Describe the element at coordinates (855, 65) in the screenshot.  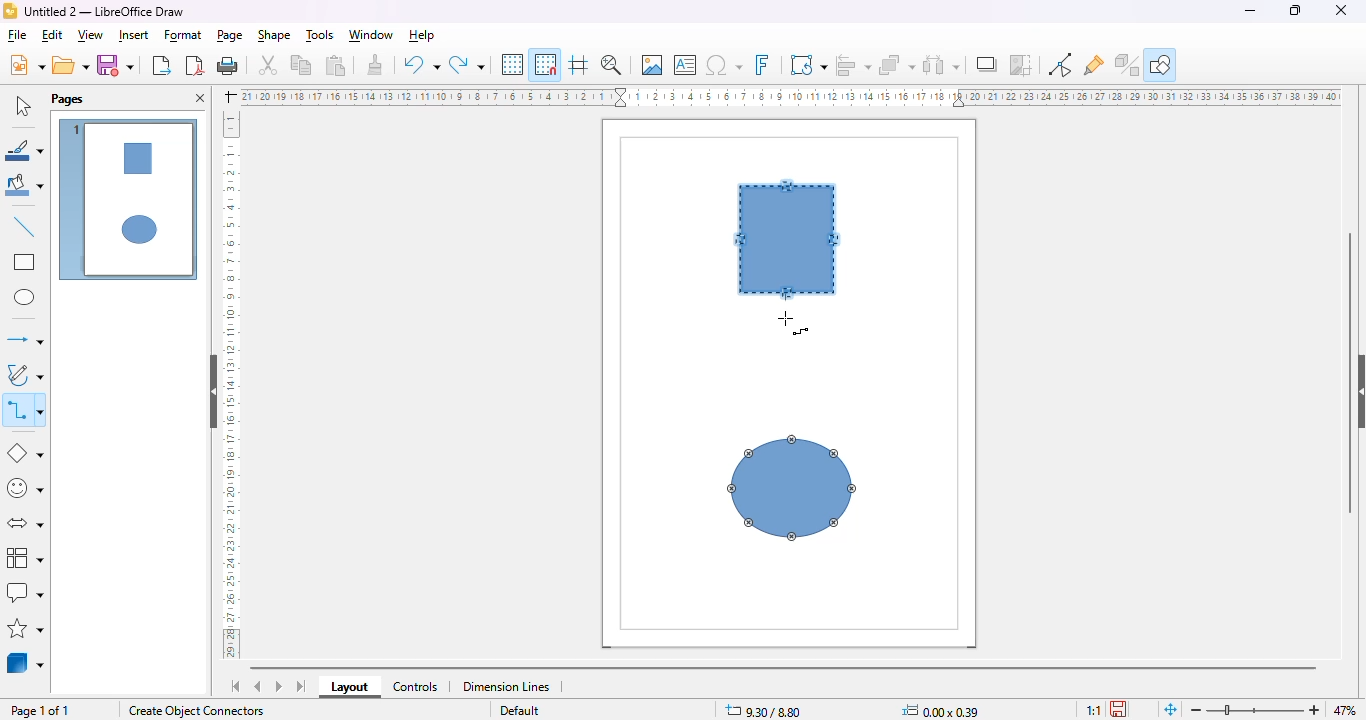
I see `align objects` at that location.